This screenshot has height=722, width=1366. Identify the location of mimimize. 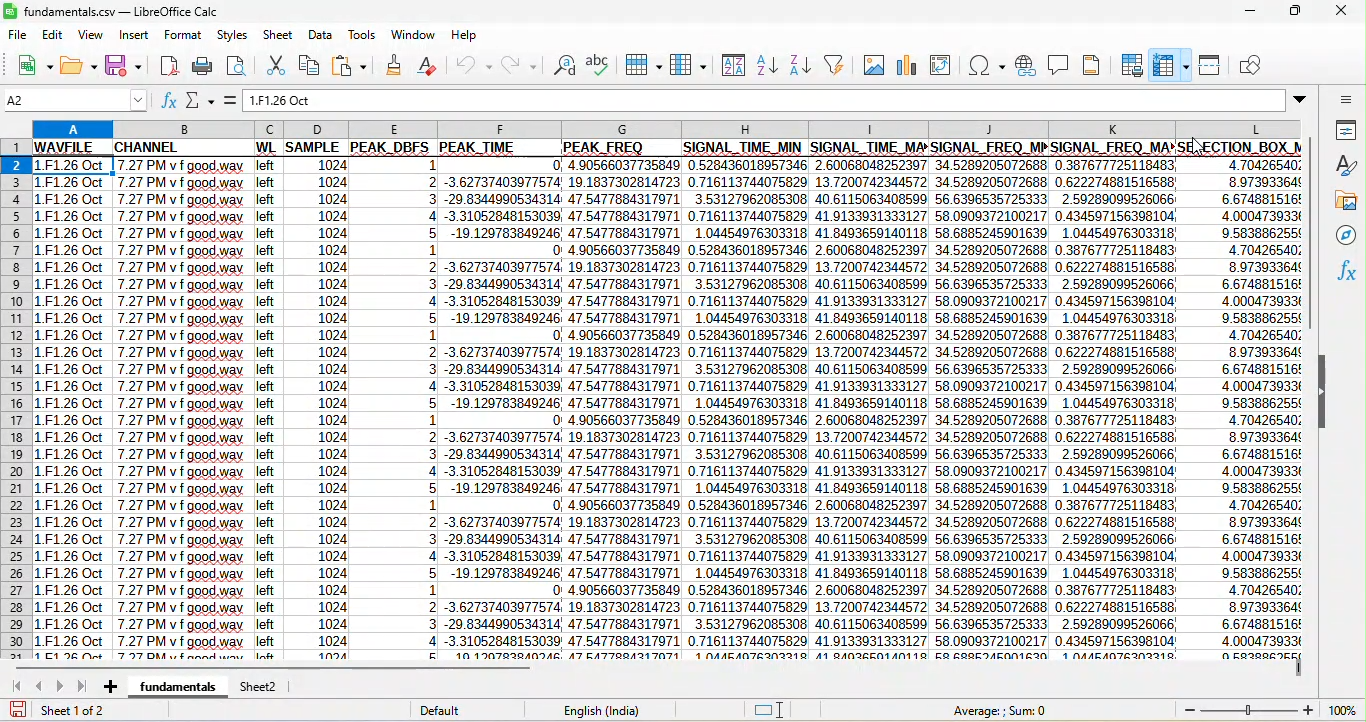
(1250, 13).